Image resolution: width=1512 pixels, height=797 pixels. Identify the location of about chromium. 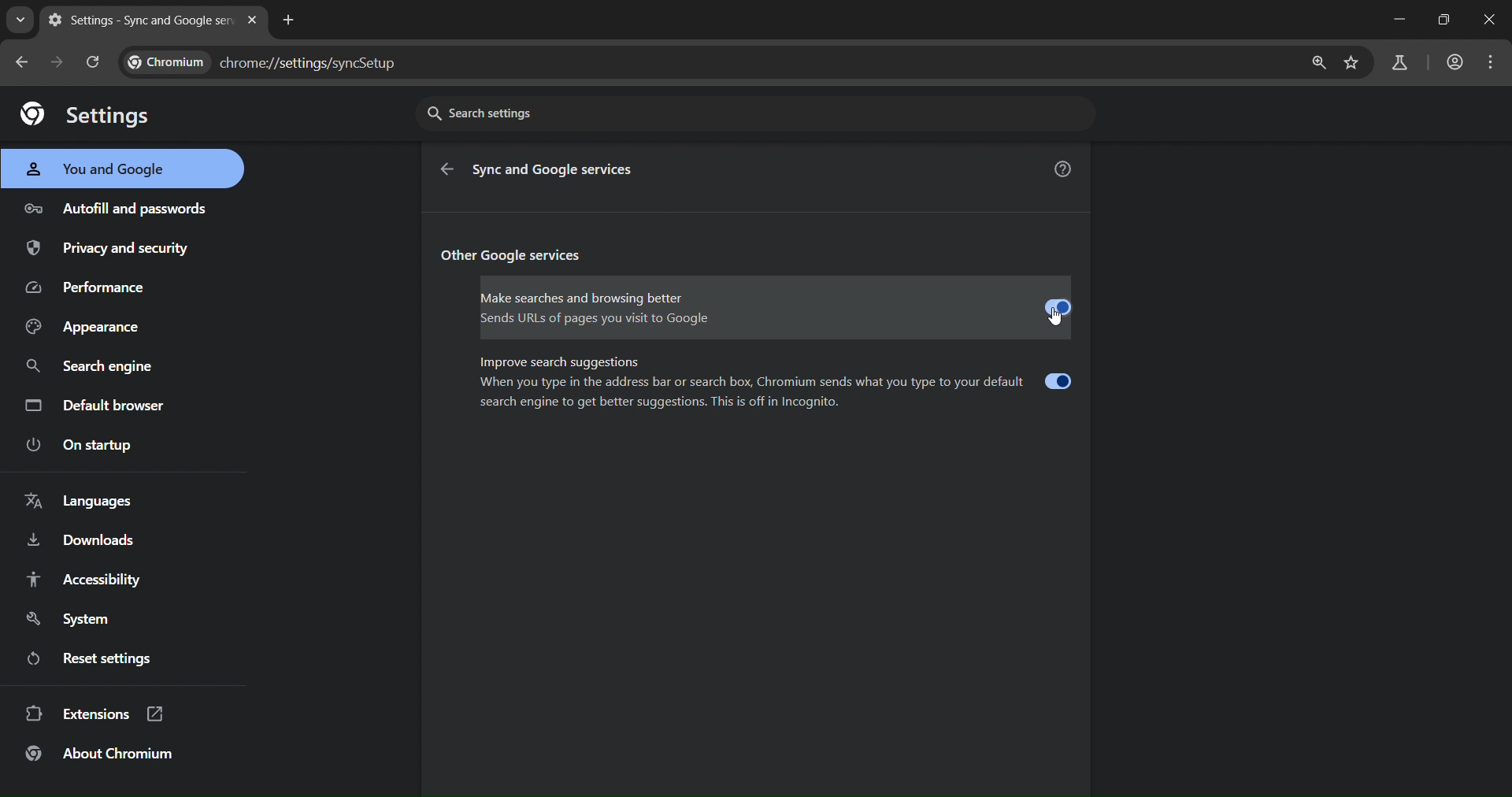
(102, 754).